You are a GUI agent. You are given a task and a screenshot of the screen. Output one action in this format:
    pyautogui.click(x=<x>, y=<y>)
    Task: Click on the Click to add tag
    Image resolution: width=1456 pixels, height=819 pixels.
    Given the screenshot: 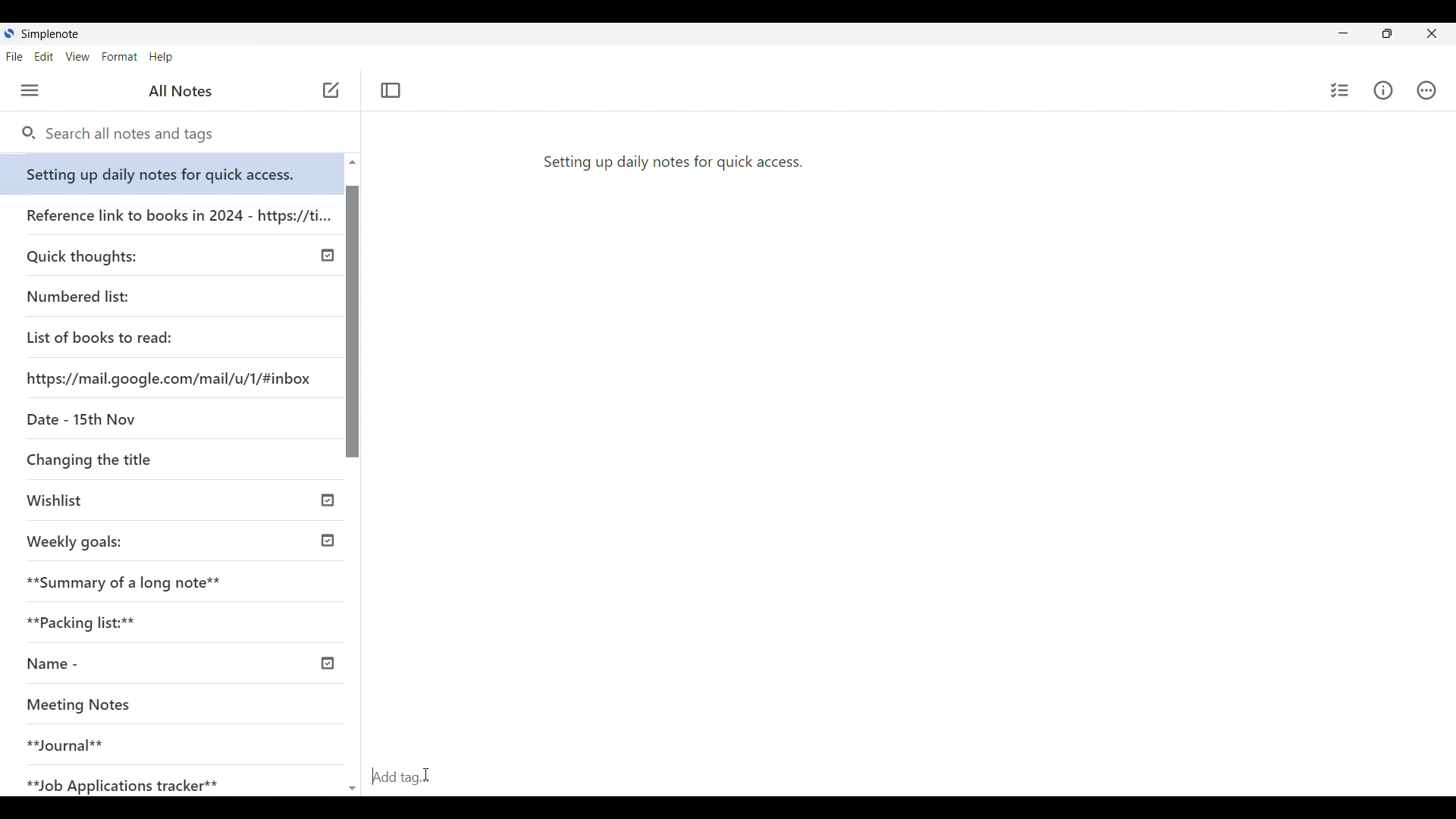 What is the action you would take?
    pyautogui.click(x=908, y=781)
    